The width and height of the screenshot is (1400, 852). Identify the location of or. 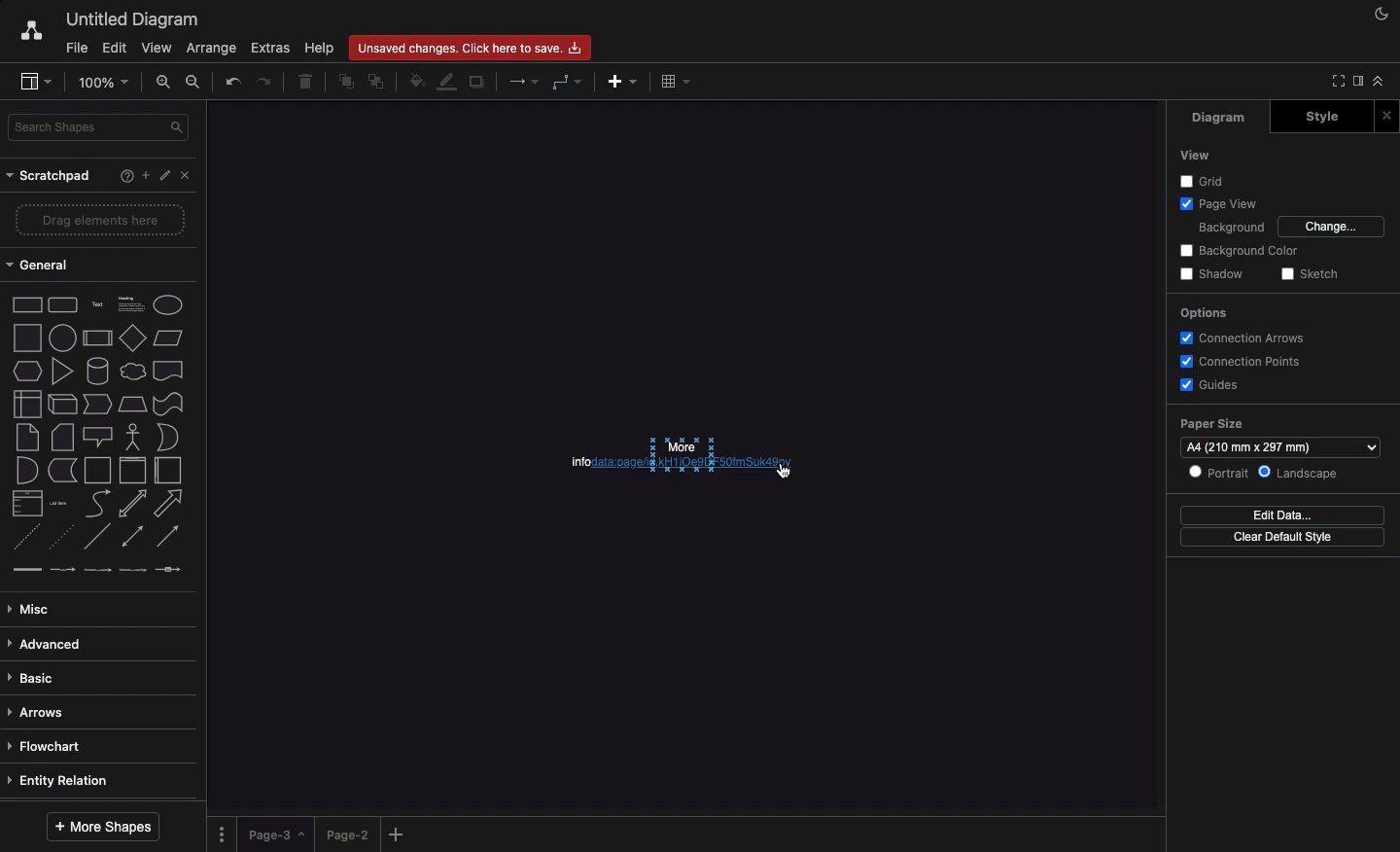
(168, 437).